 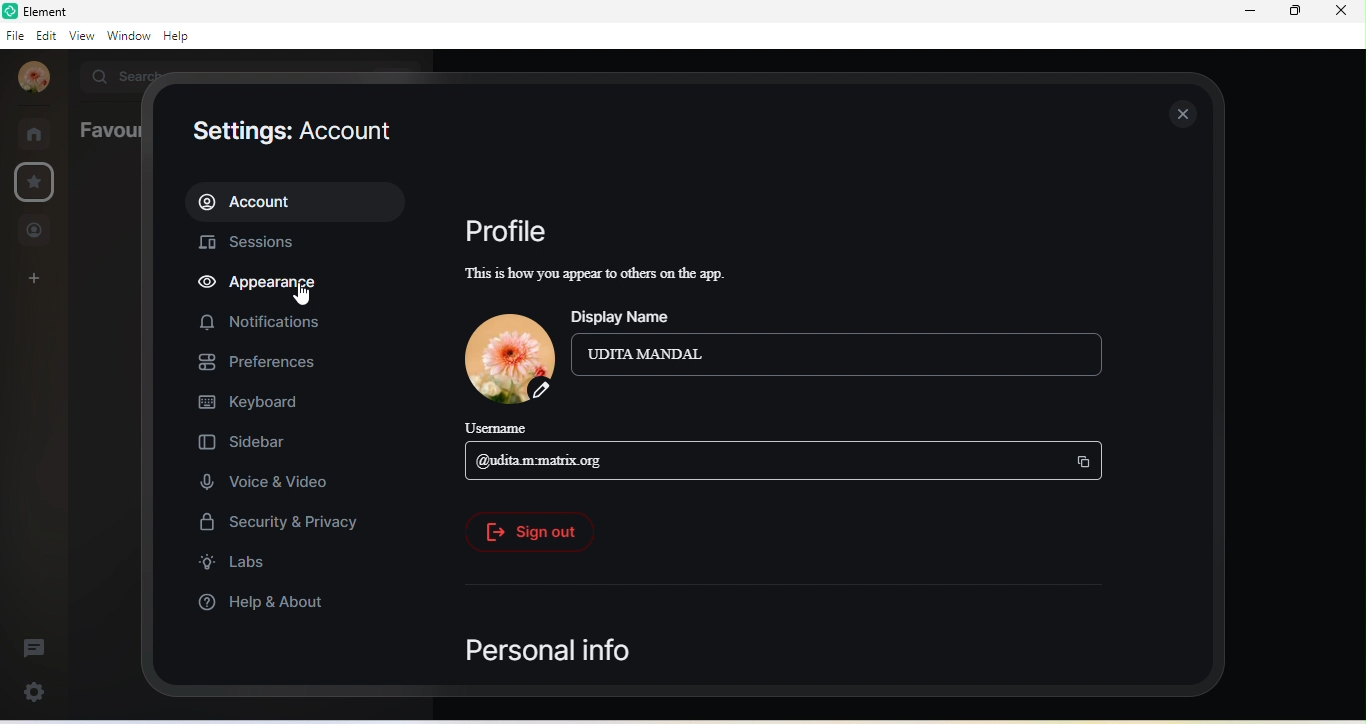 I want to click on close, so click(x=1346, y=16).